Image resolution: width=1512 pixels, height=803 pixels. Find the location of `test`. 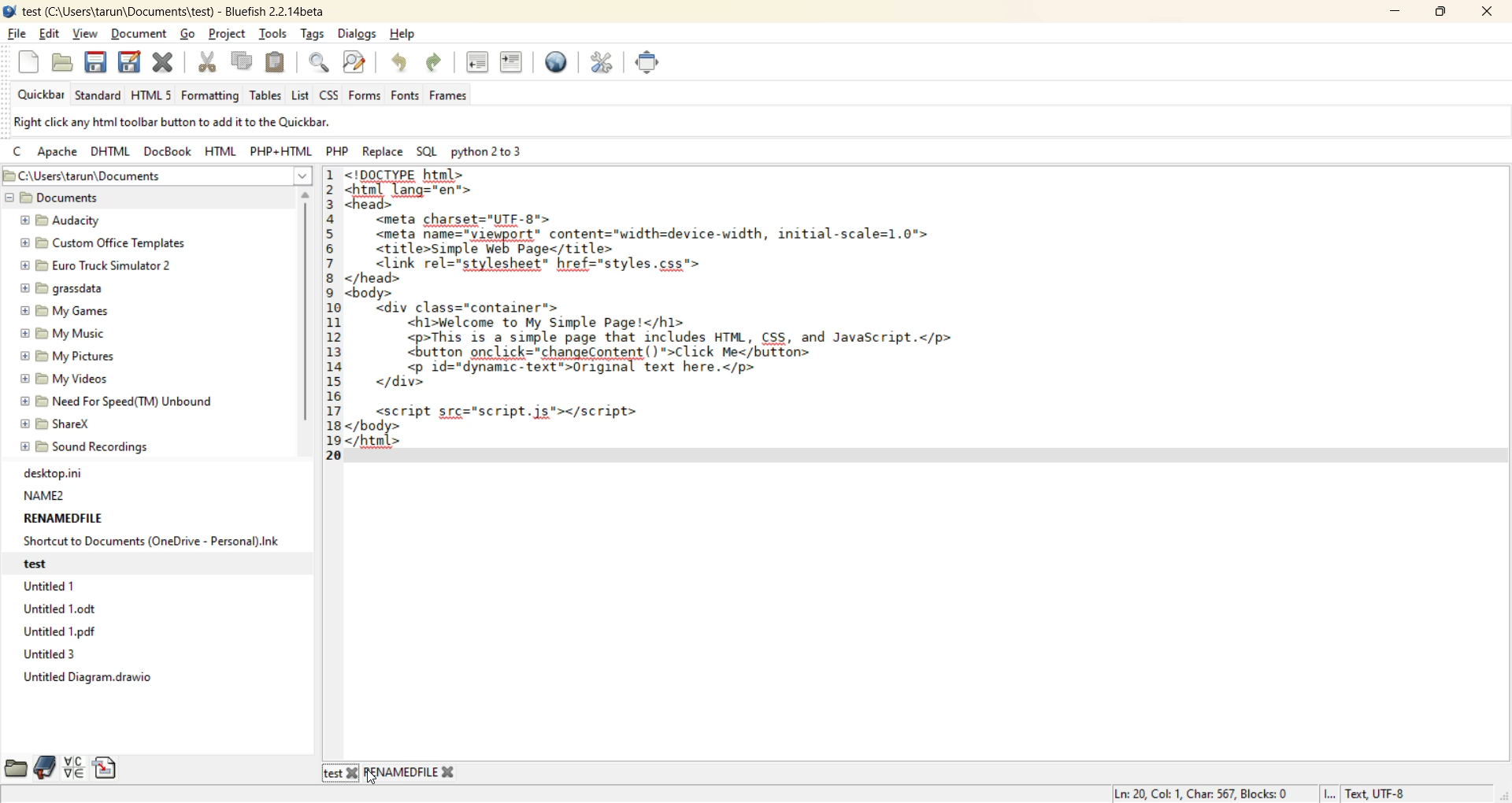

test is located at coordinates (332, 773).